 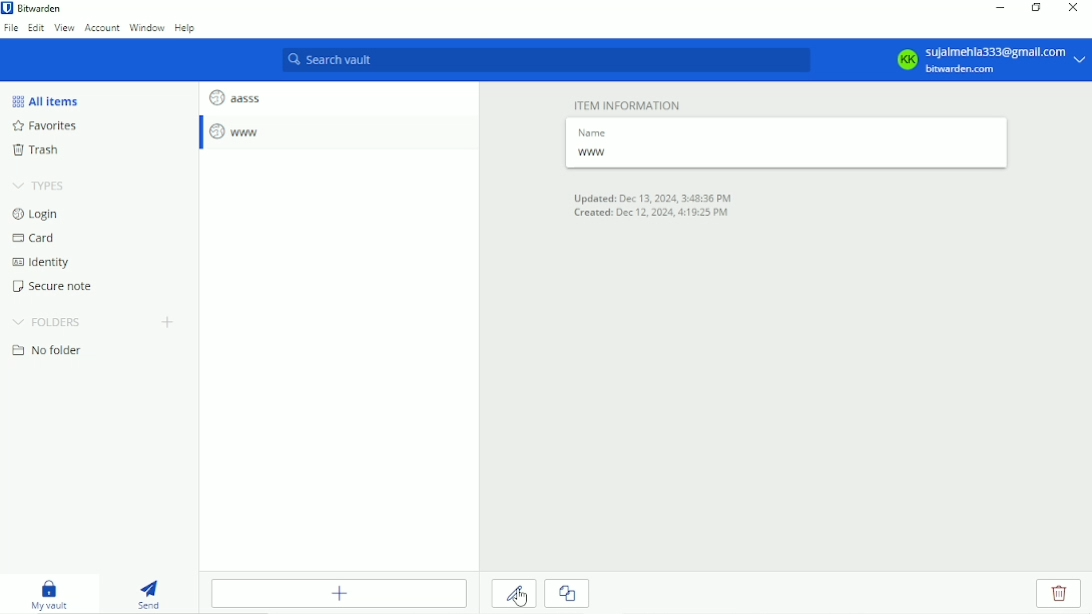 I want to click on All items, so click(x=44, y=100).